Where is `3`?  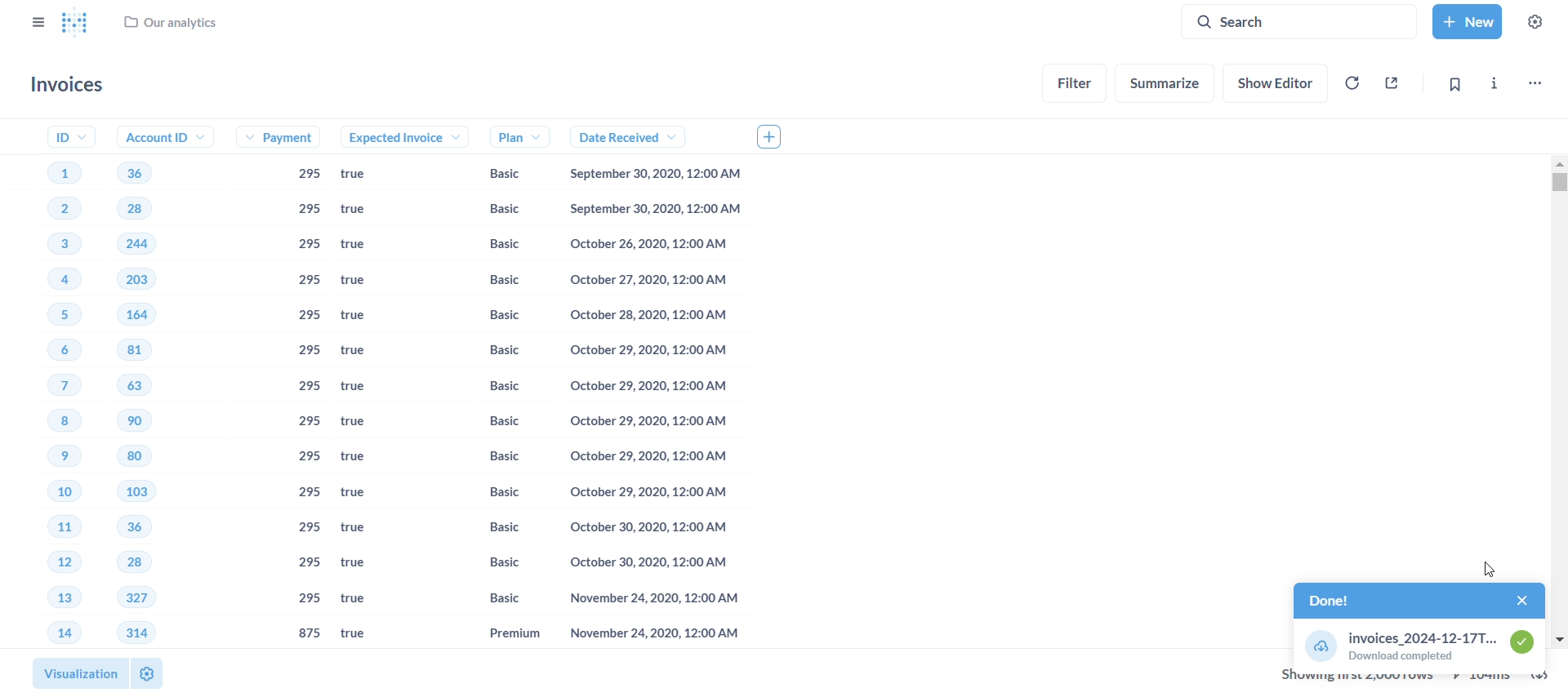 3 is located at coordinates (52, 246).